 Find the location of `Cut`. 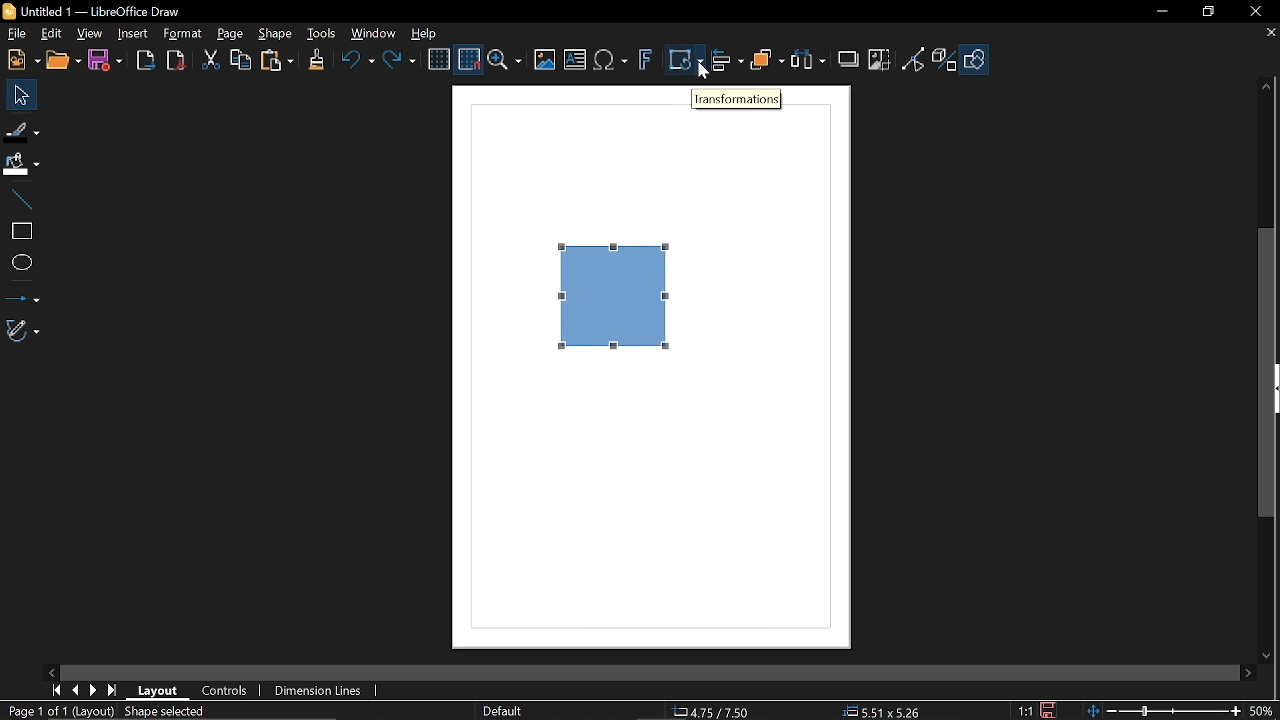

Cut is located at coordinates (208, 61).